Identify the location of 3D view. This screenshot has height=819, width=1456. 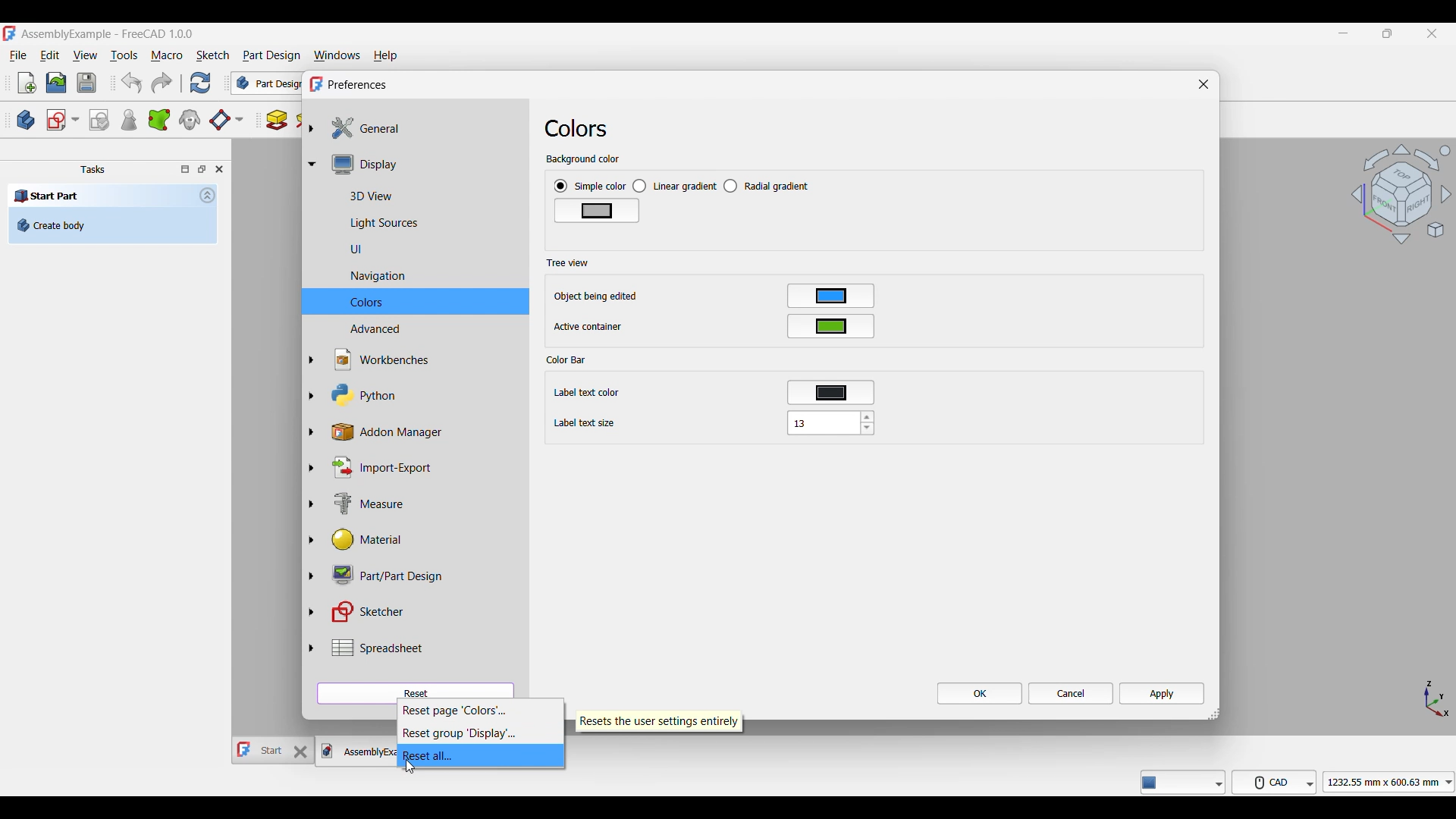
(353, 196).